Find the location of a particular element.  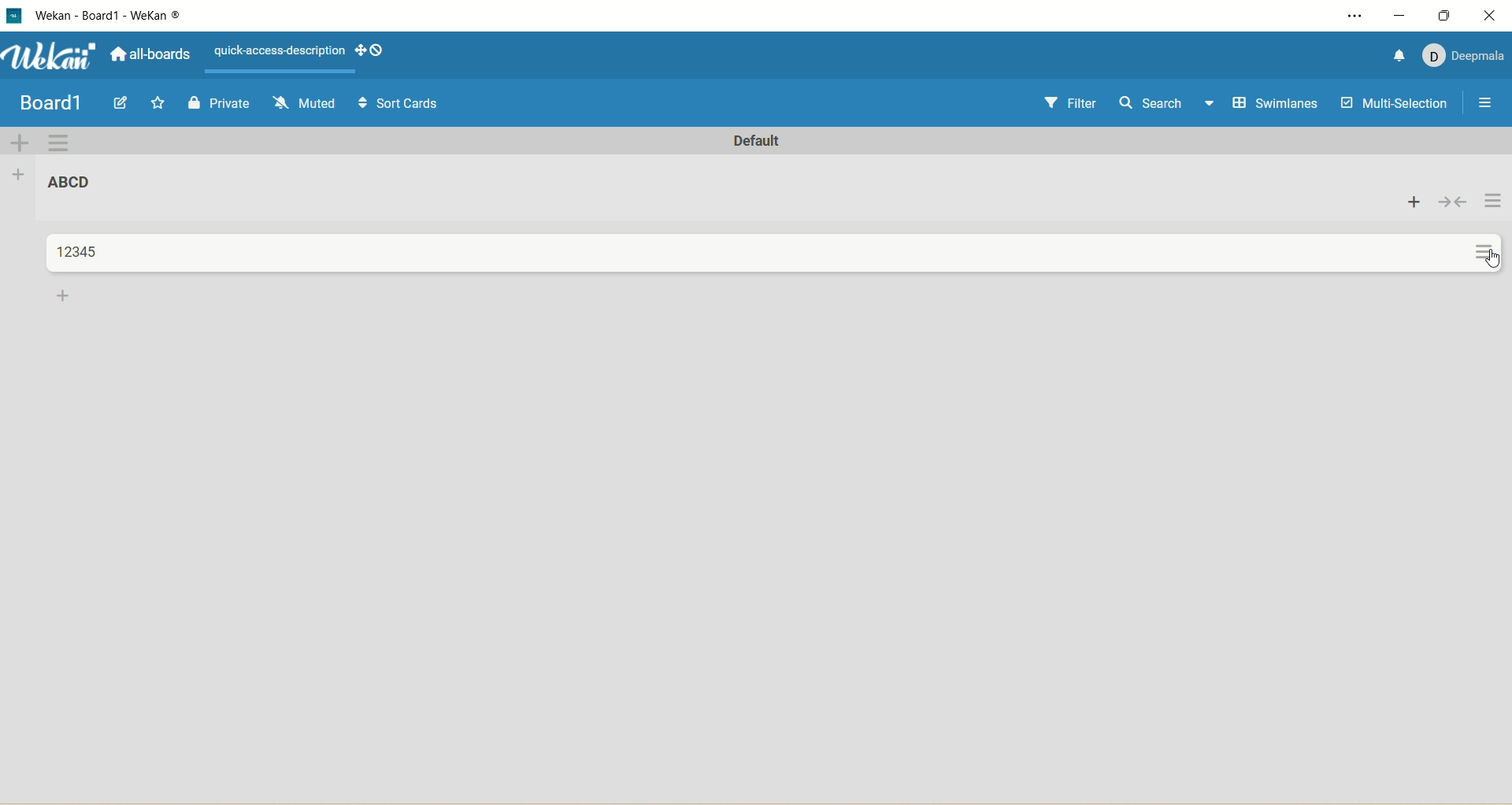

muted is located at coordinates (306, 103).